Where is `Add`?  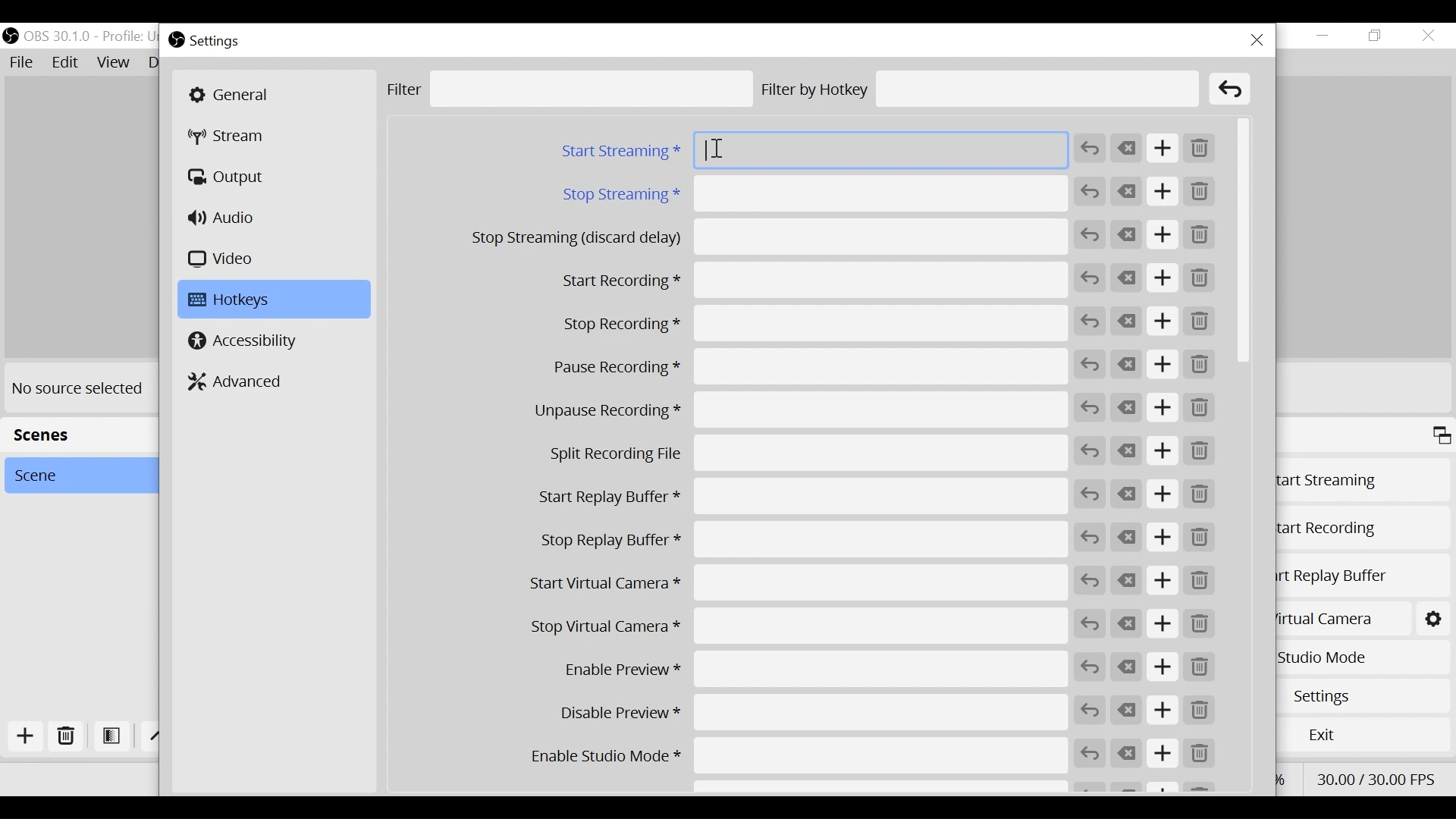
Add is located at coordinates (28, 736).